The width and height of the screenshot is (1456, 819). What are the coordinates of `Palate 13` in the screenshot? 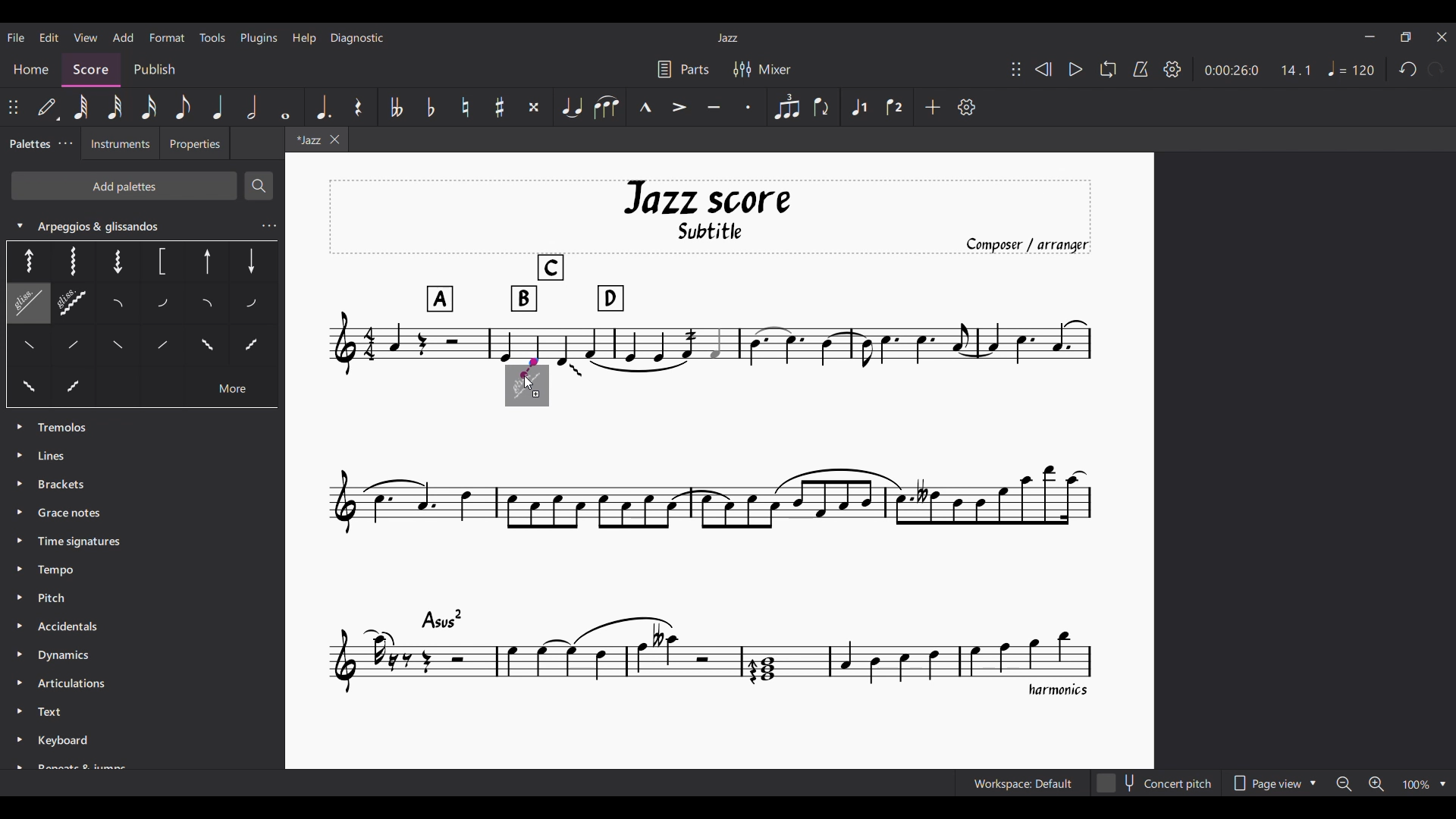 It's located at (253, 303).